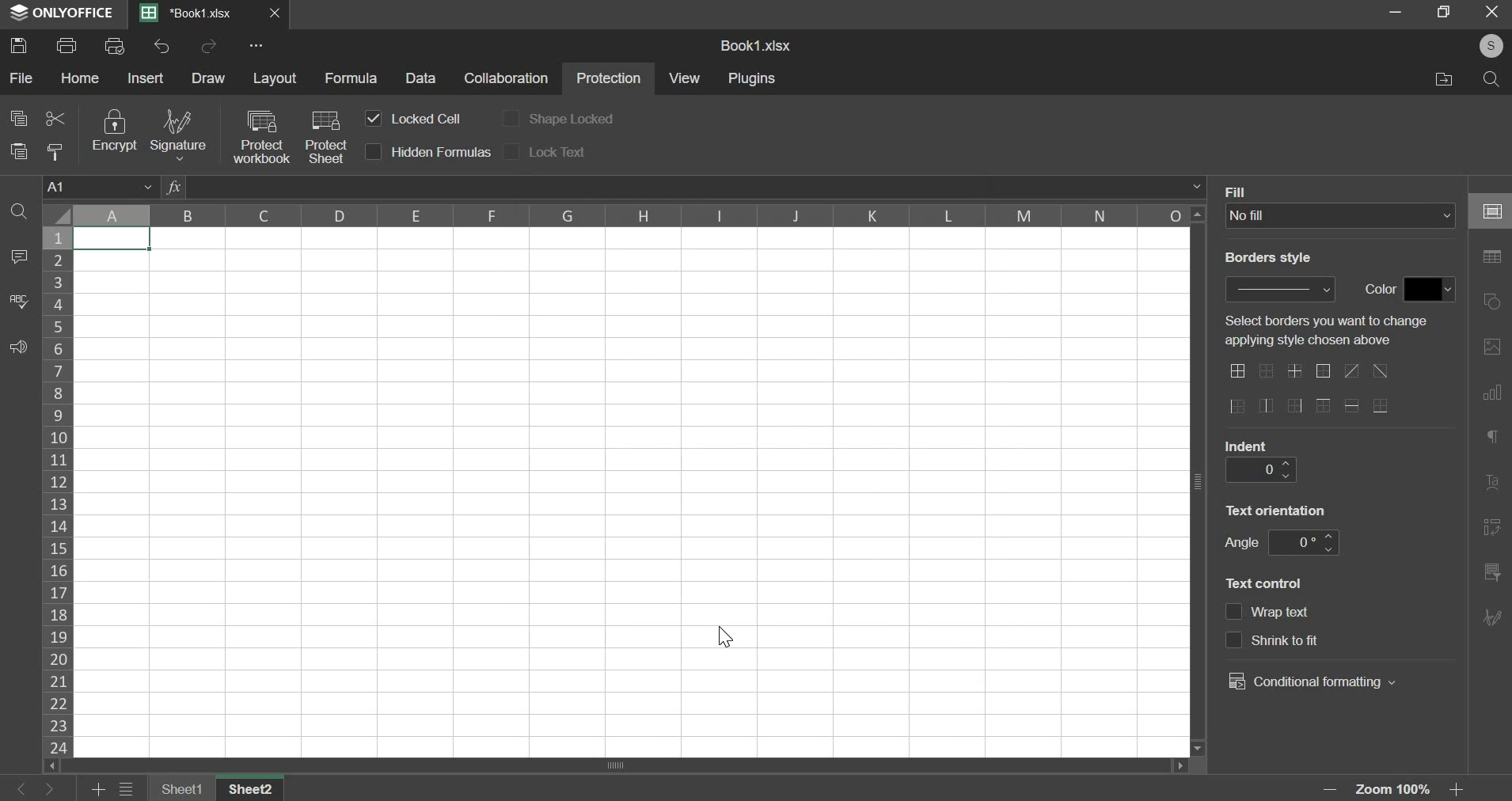 Image resolution: width=1512 pixels, height=801 pixels. What do you see at coordinates (19, 301) in the screenshot?
I see `spelling` at bounding box center [19, 301].